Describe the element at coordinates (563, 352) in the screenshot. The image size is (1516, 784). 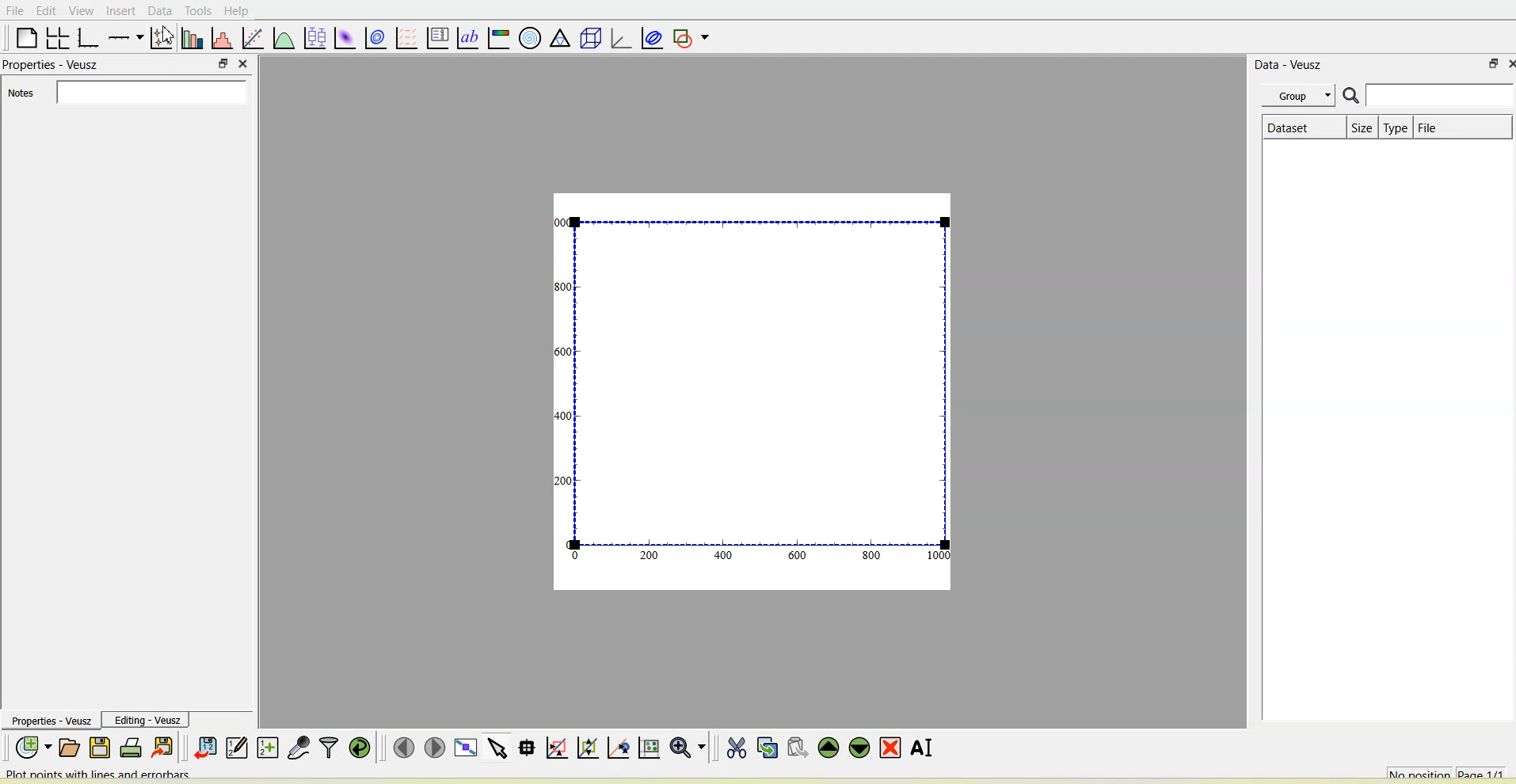
I see `1600!` at that location.